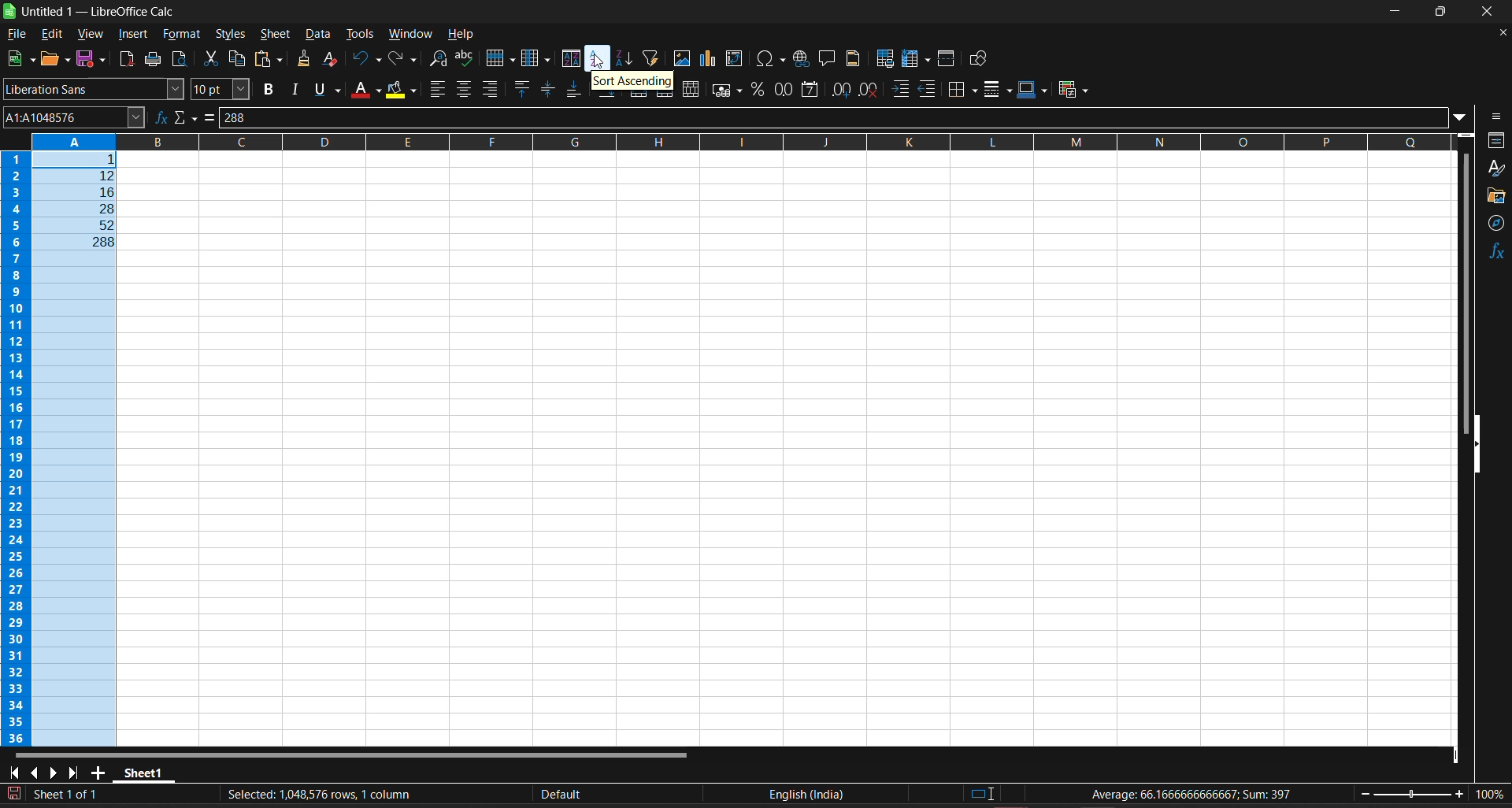 The width and height of the screenshot is (1512, 808). Describe the element at coordinates (319, 36) in the screenshot. I see `data` at that location.